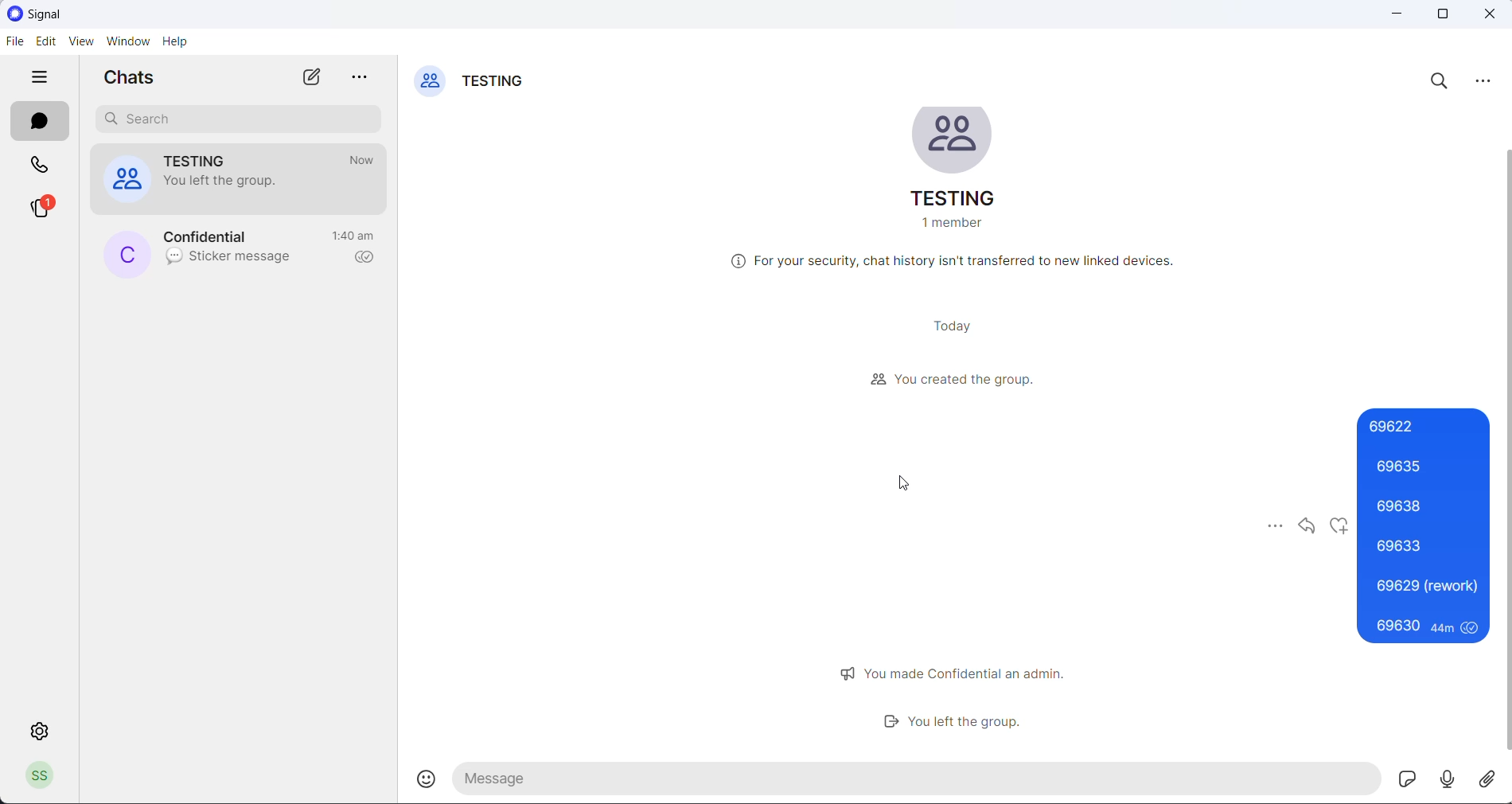 This screenshot has height=804, width=1512. What do you see at coordinates (1451, 778) in the screenshot?
I see `voice mail` at bounding box center [1451, 778].